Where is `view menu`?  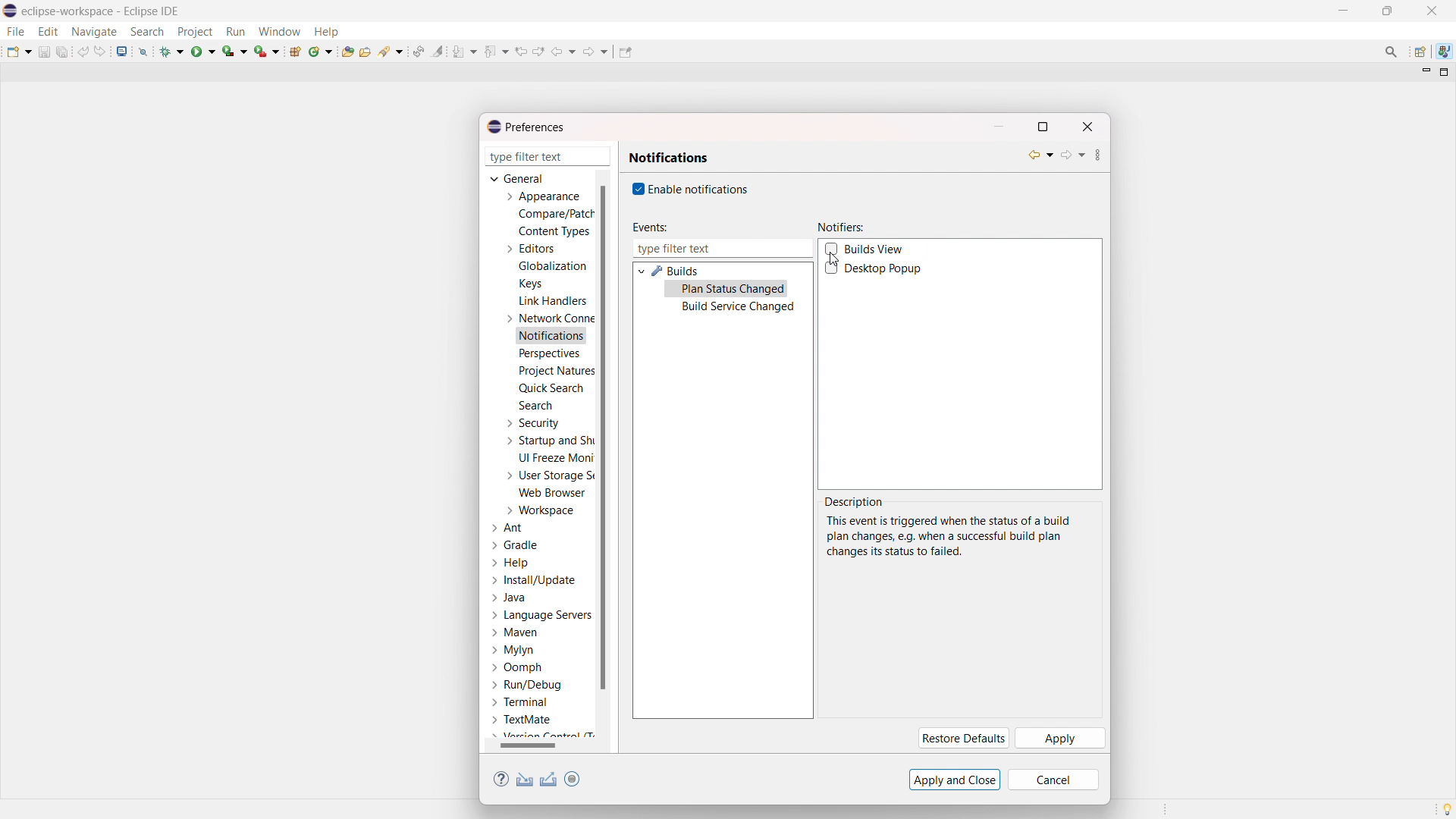
view menu is located at coordinates (1098, 157).